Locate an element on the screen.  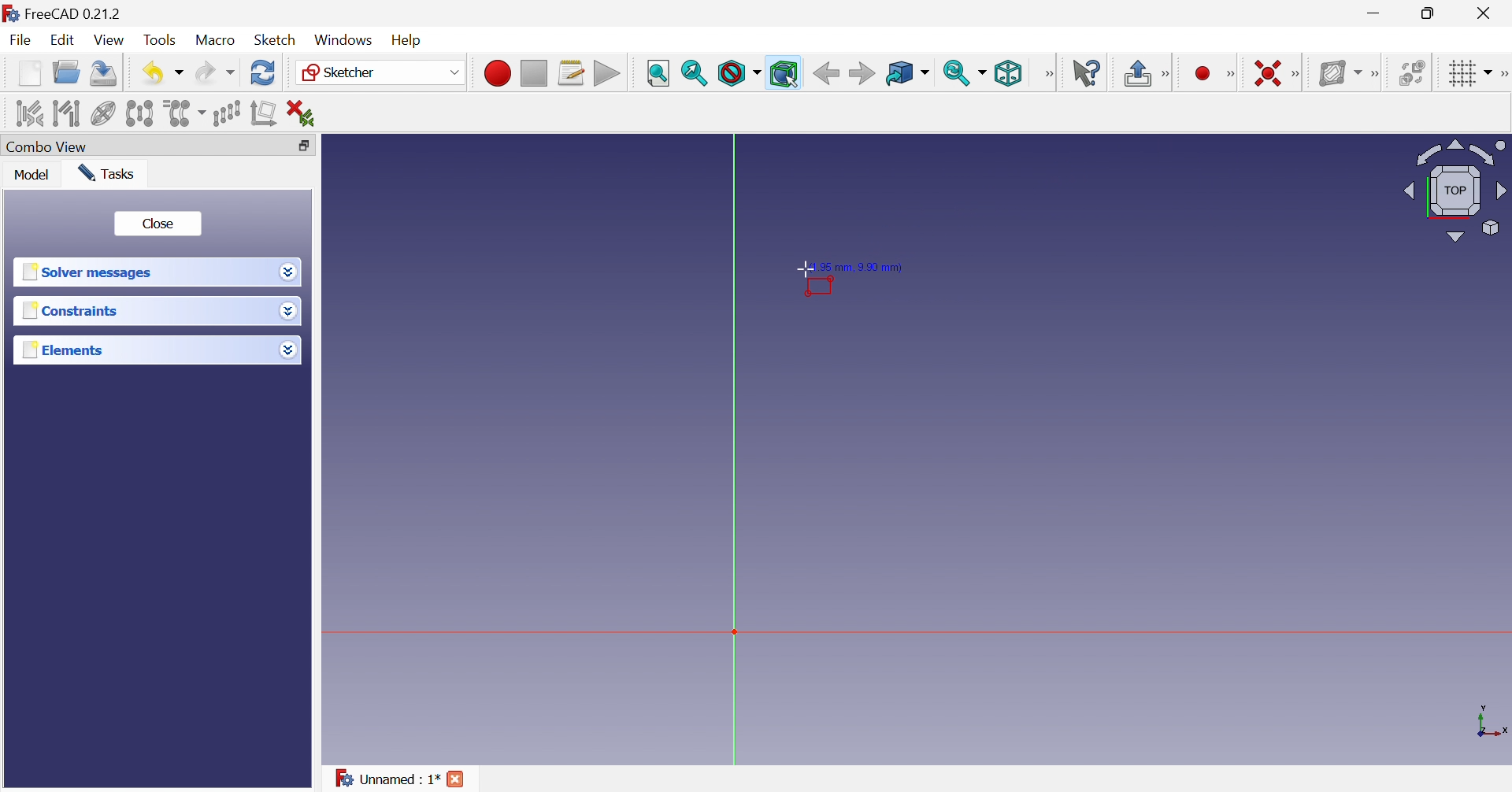
Leave sketch is located at coordinates (1138, 74).